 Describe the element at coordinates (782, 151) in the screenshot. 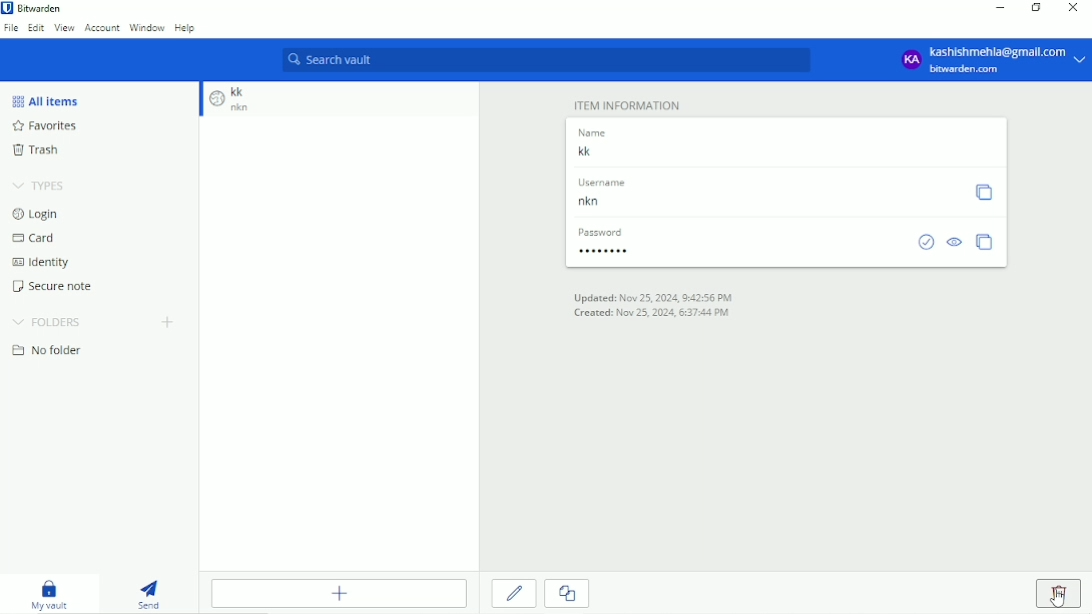

I see `Name` at that location.